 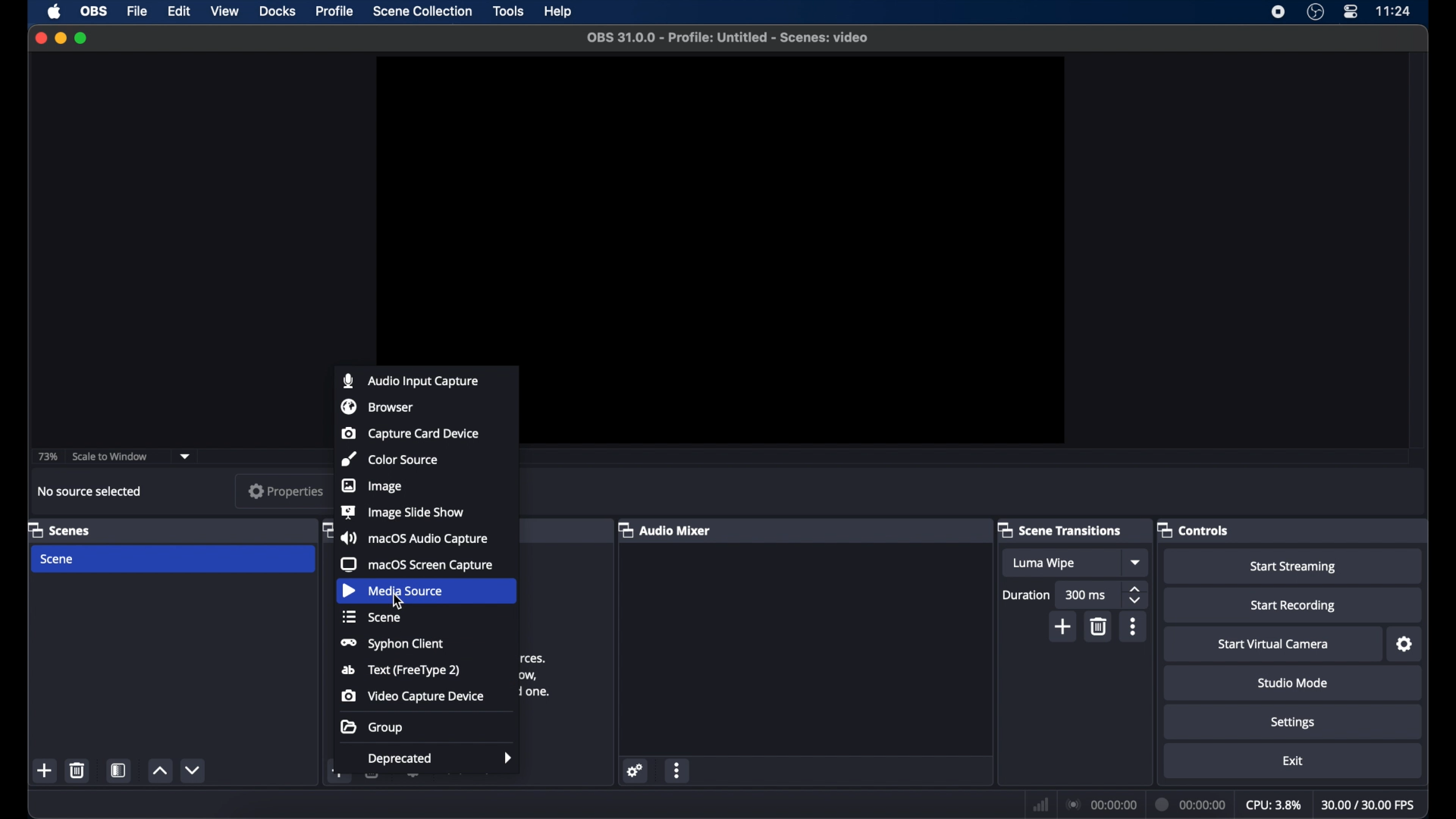 What do you see at coordinates (278, 11) in the screenshot?
I see `docks` at bounding box center [278, 11].